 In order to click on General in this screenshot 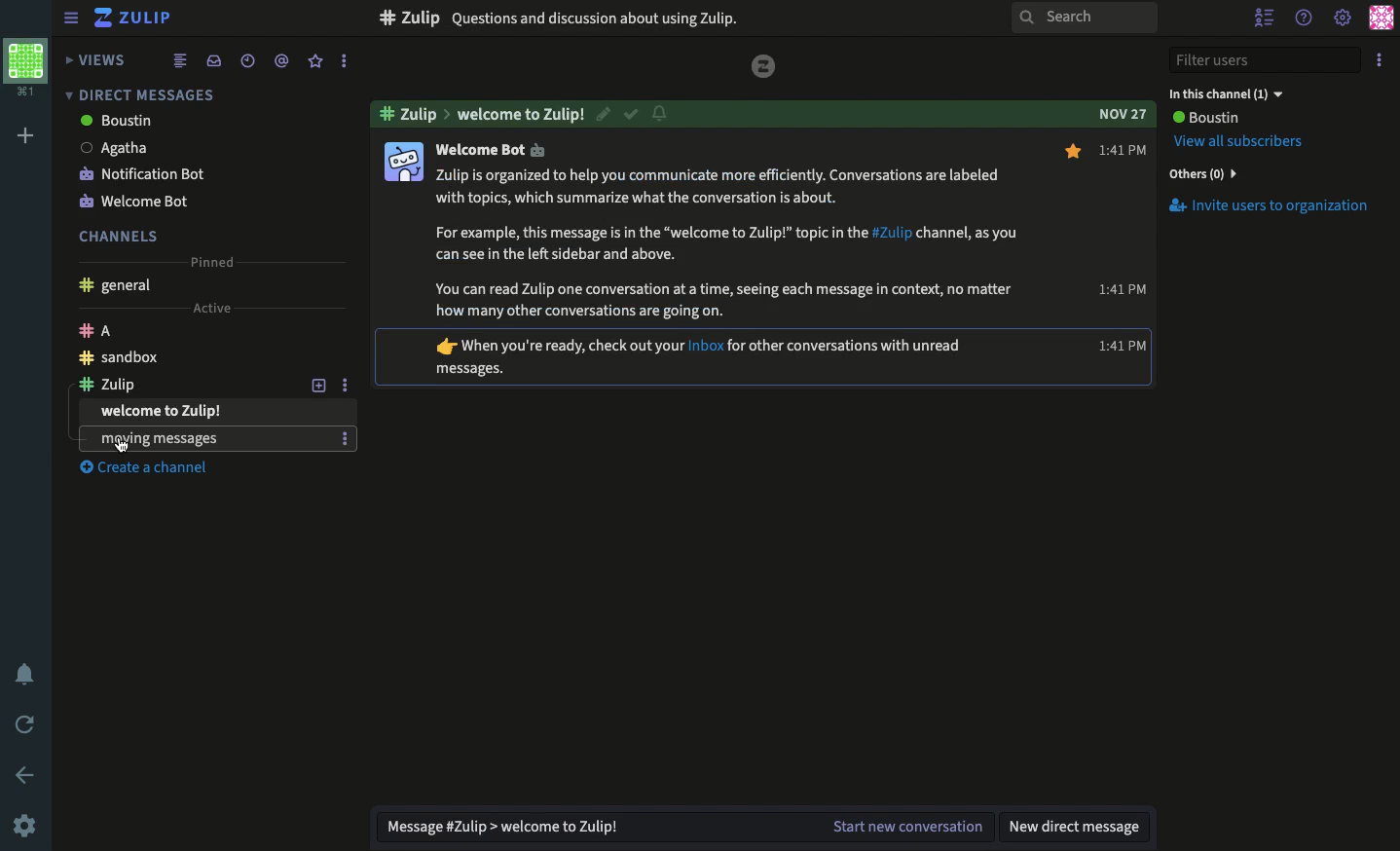, I will do `click(114, 287)`.